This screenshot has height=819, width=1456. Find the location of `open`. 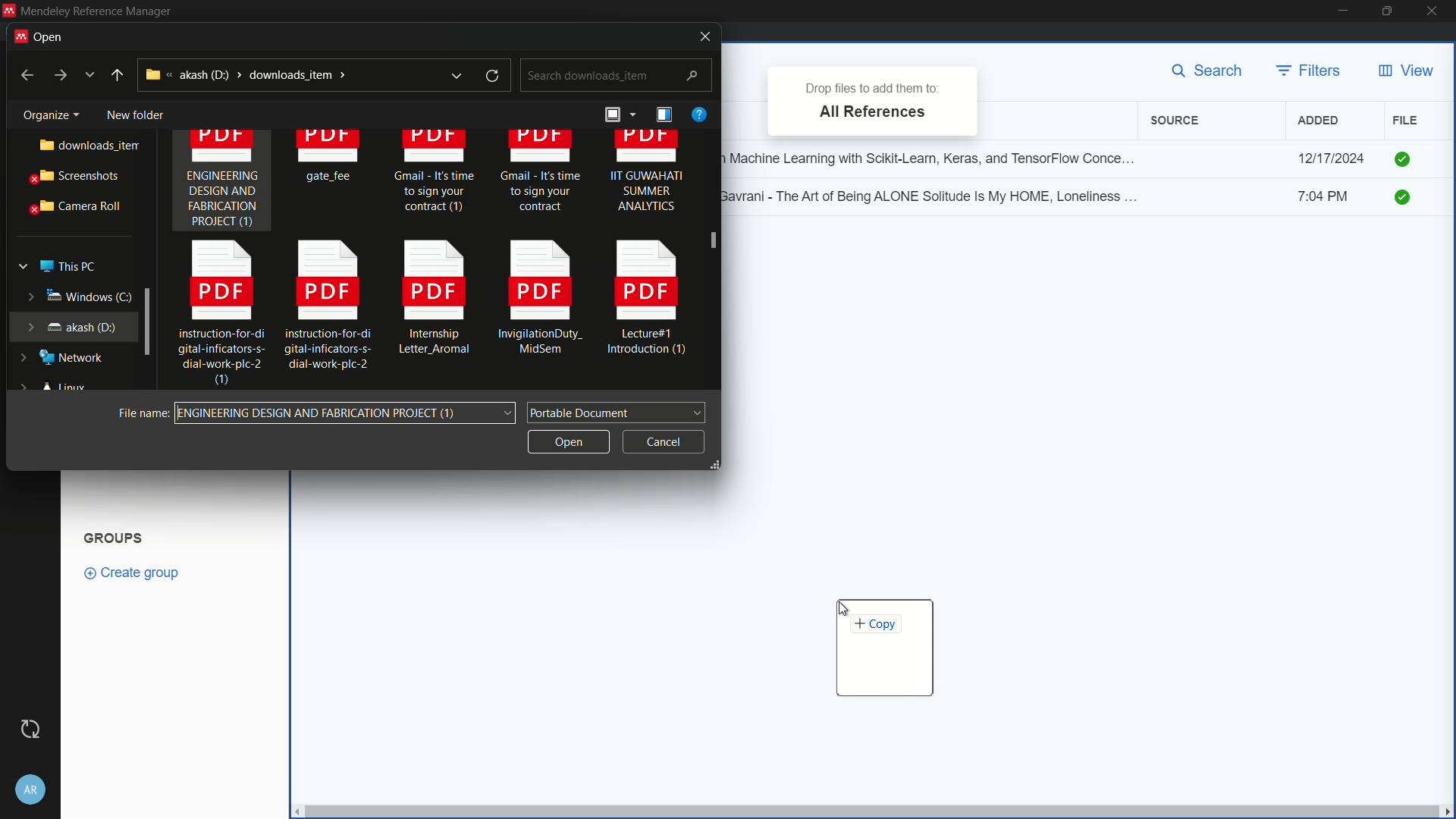

open is located at coordinates (46, 35).